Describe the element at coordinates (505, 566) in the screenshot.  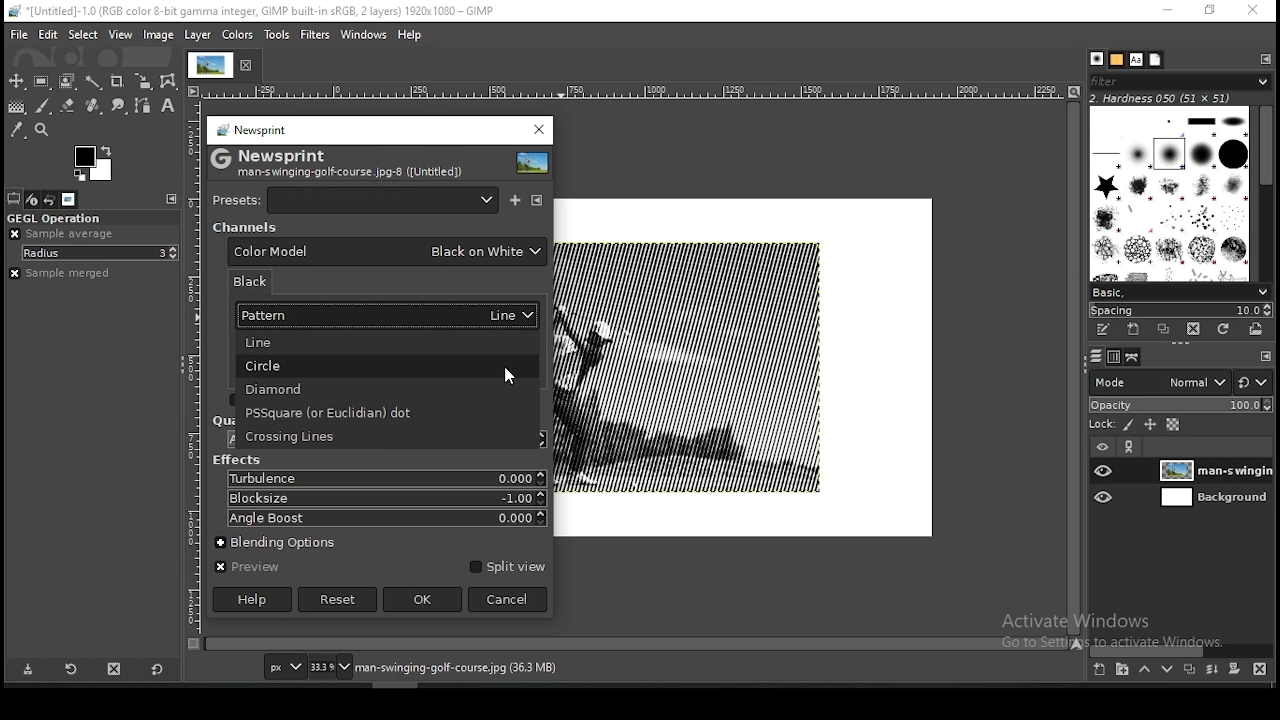
I see `split view on/off` at that location.